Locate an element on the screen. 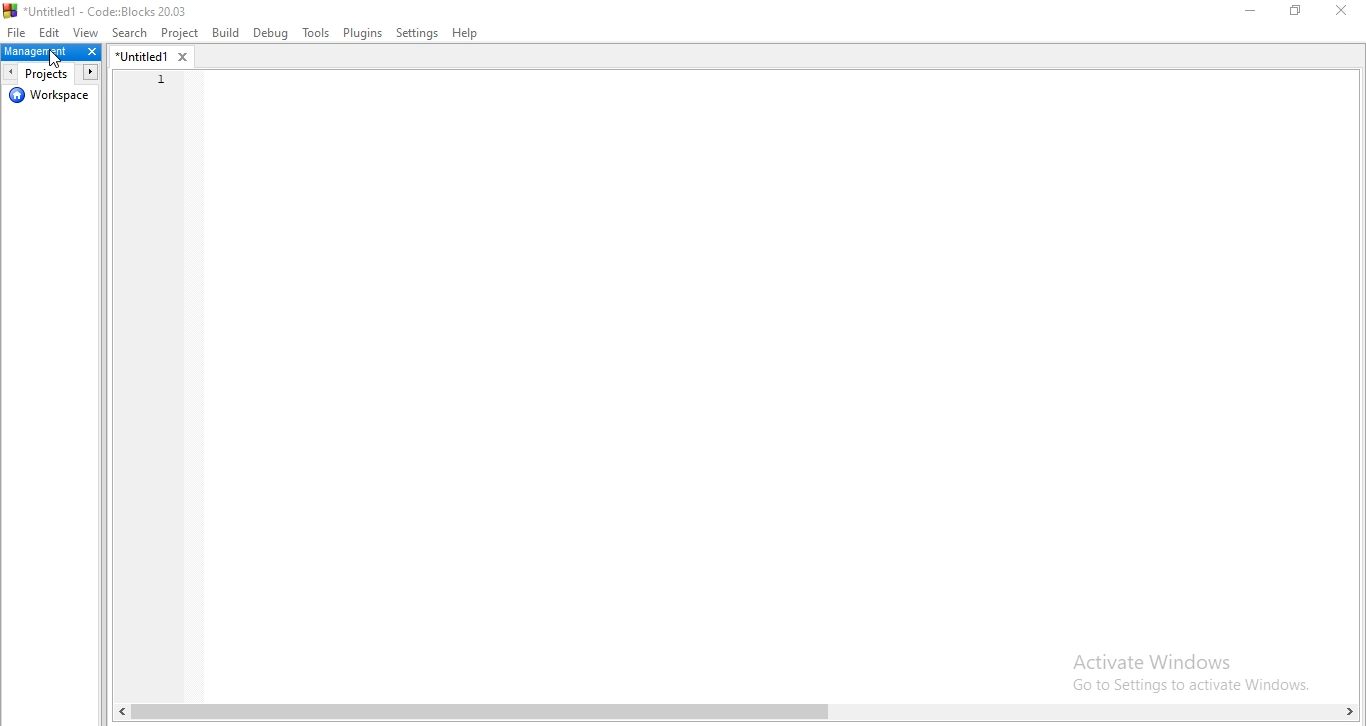 This screenshot has width=1366, height=726. Search  is located at coordinates (130, 33).